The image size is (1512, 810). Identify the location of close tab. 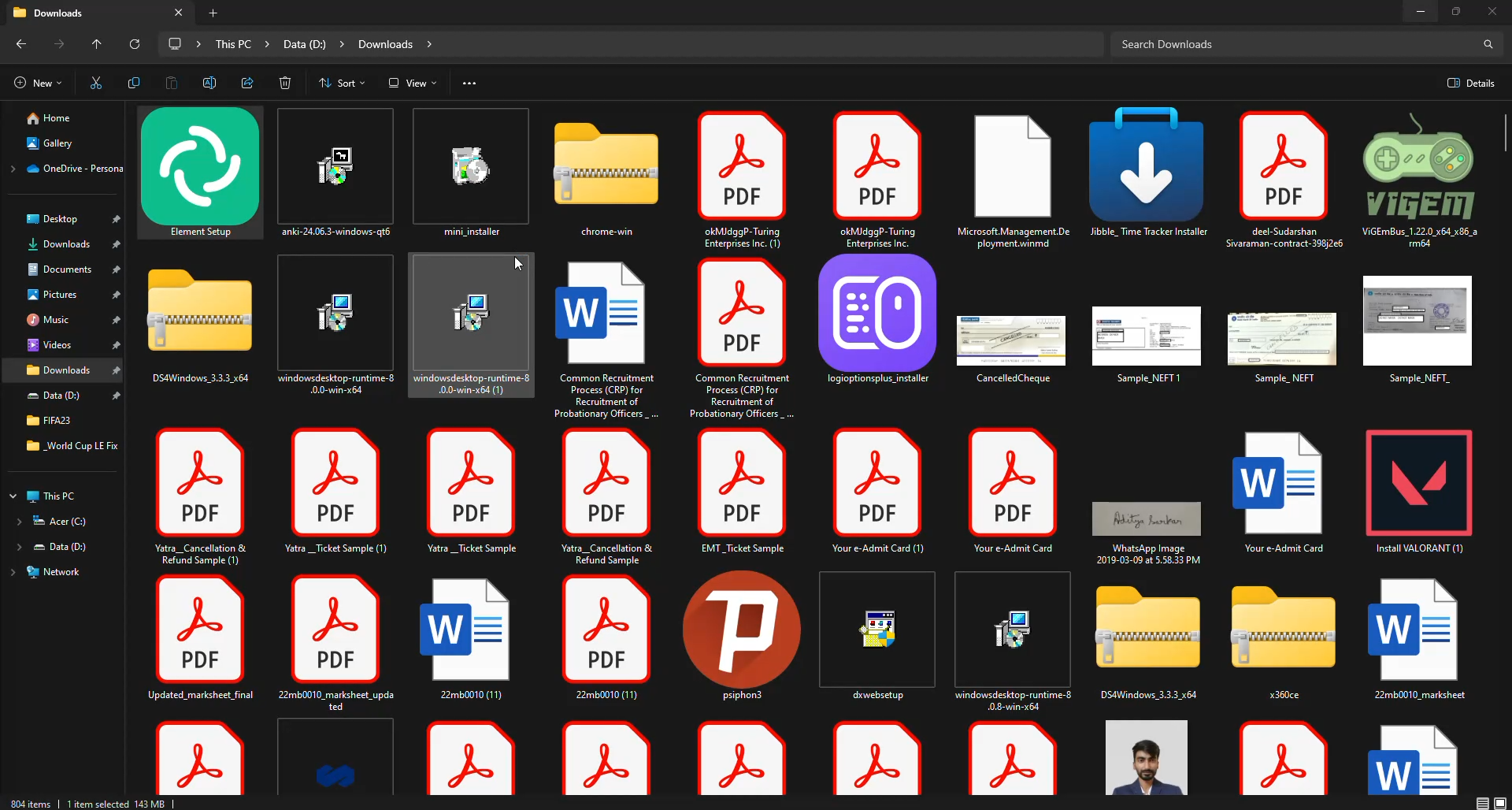
(181, 14).